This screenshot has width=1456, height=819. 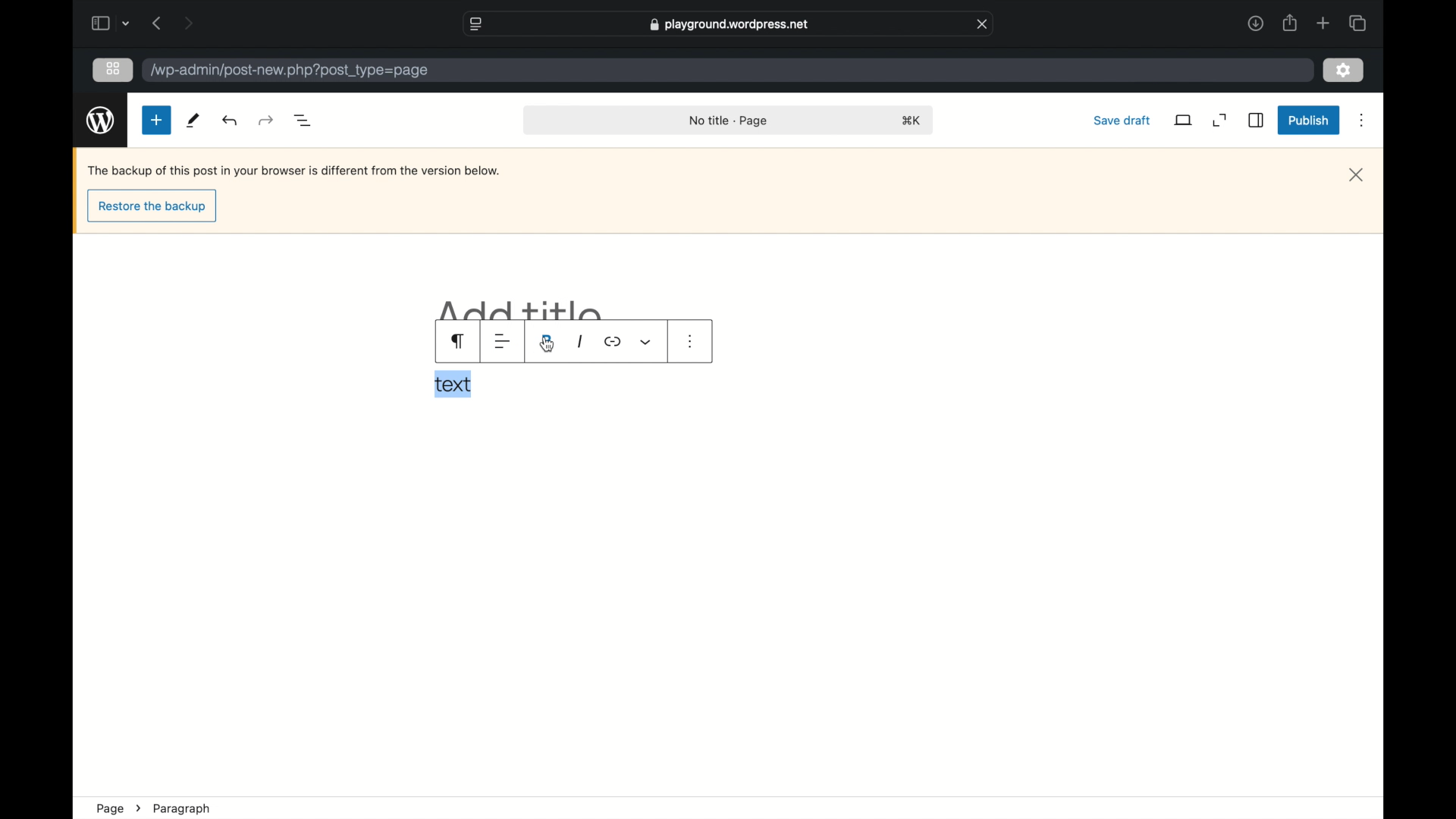 I want to click on wordpress address, so click(x=290, y=71).